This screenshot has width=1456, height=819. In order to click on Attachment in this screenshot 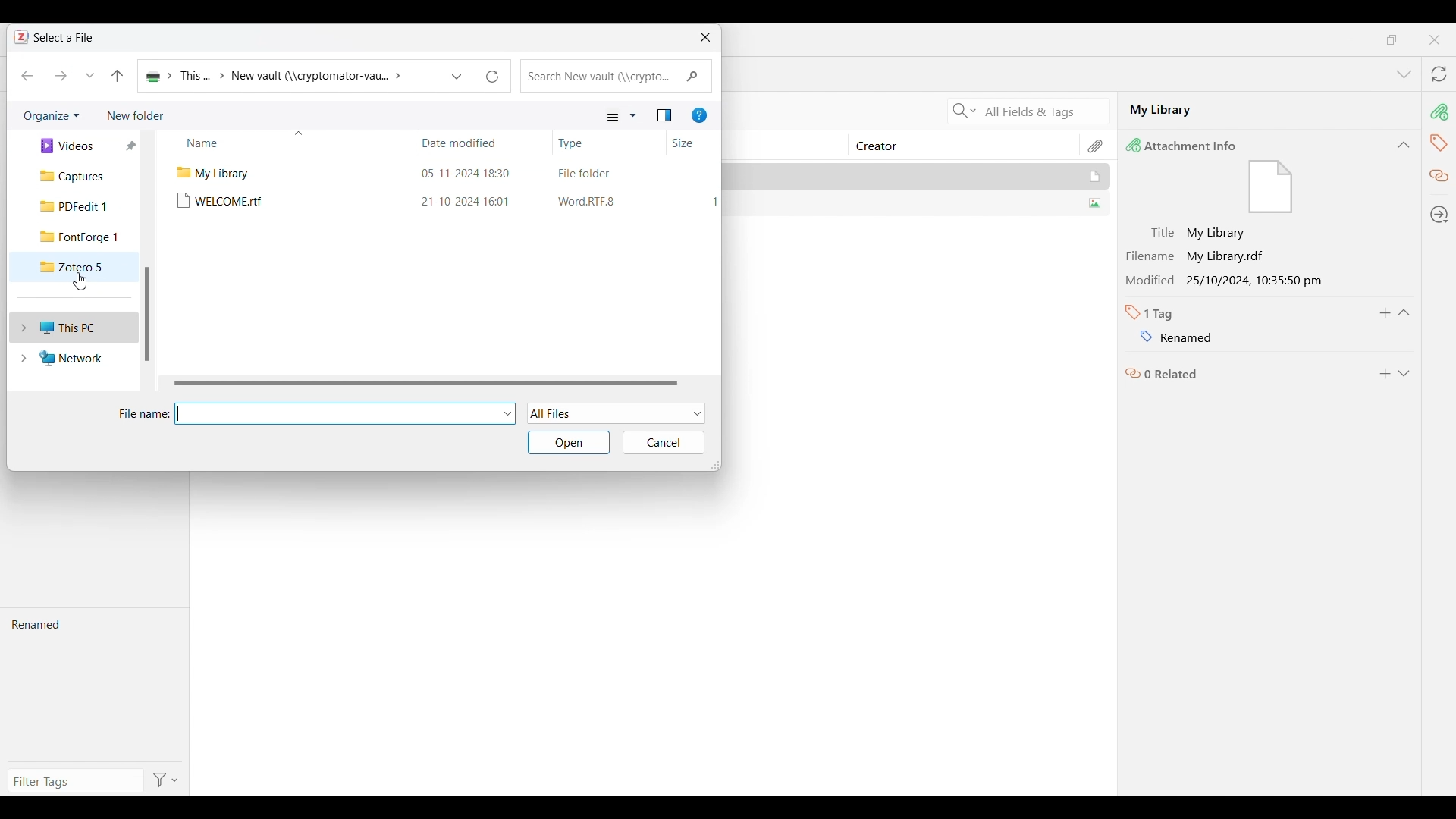, I will do `click(1097, 145)`.